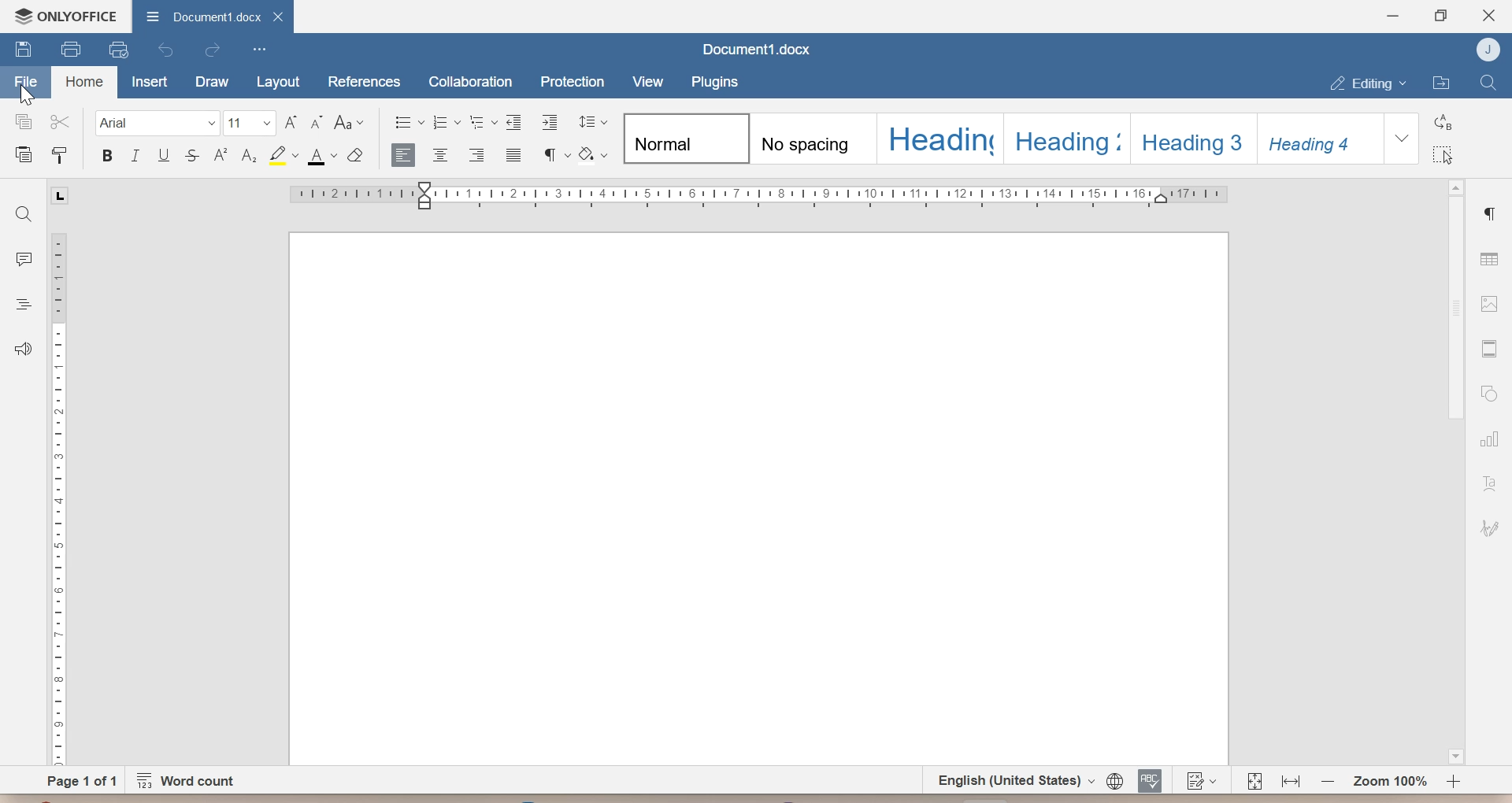  Describe the element at coordinates (21, 304) in the screenshot. I see `Headings` at that location.